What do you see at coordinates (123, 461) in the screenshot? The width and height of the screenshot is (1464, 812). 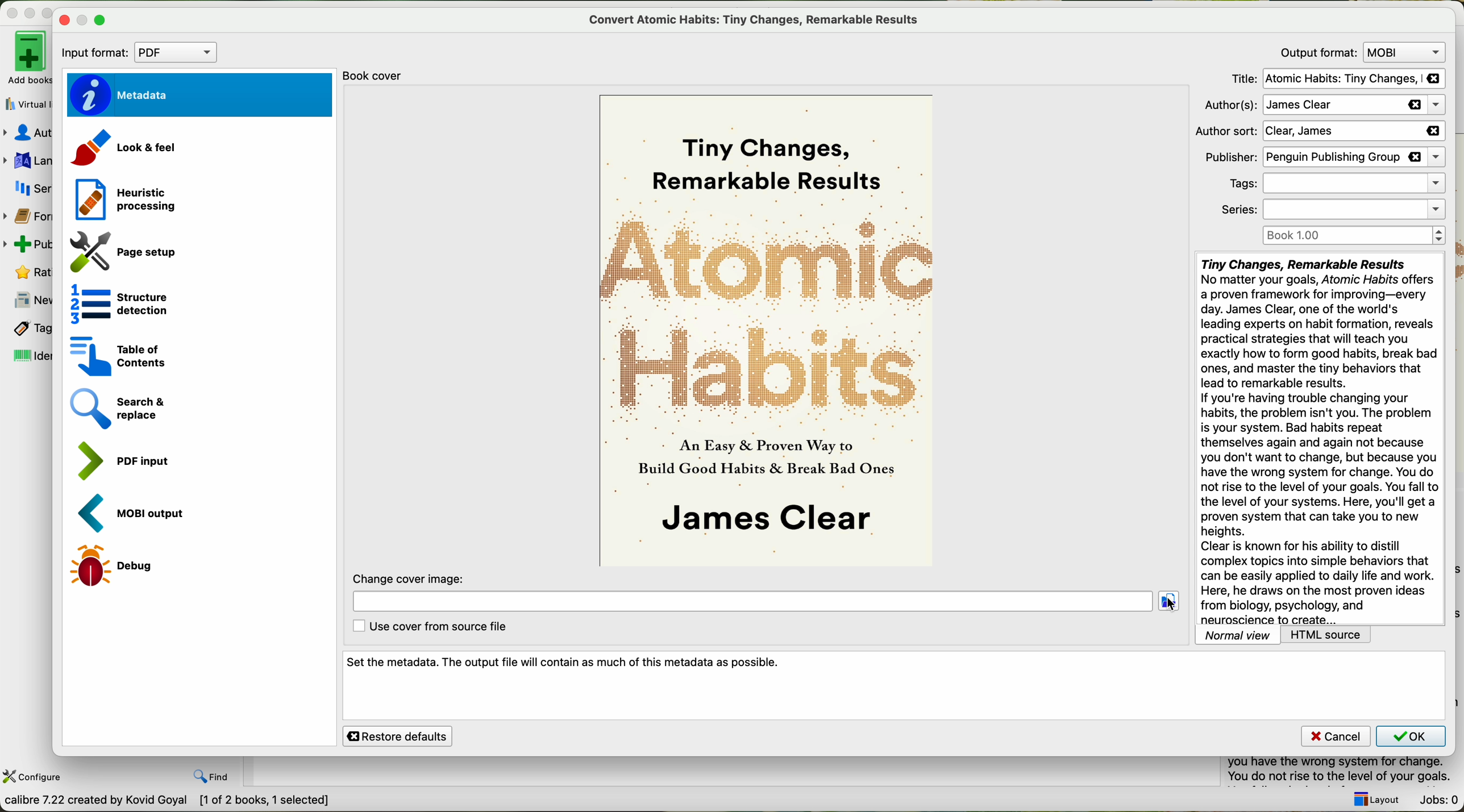 I see `PDF input` at bounding box center [123, 461].